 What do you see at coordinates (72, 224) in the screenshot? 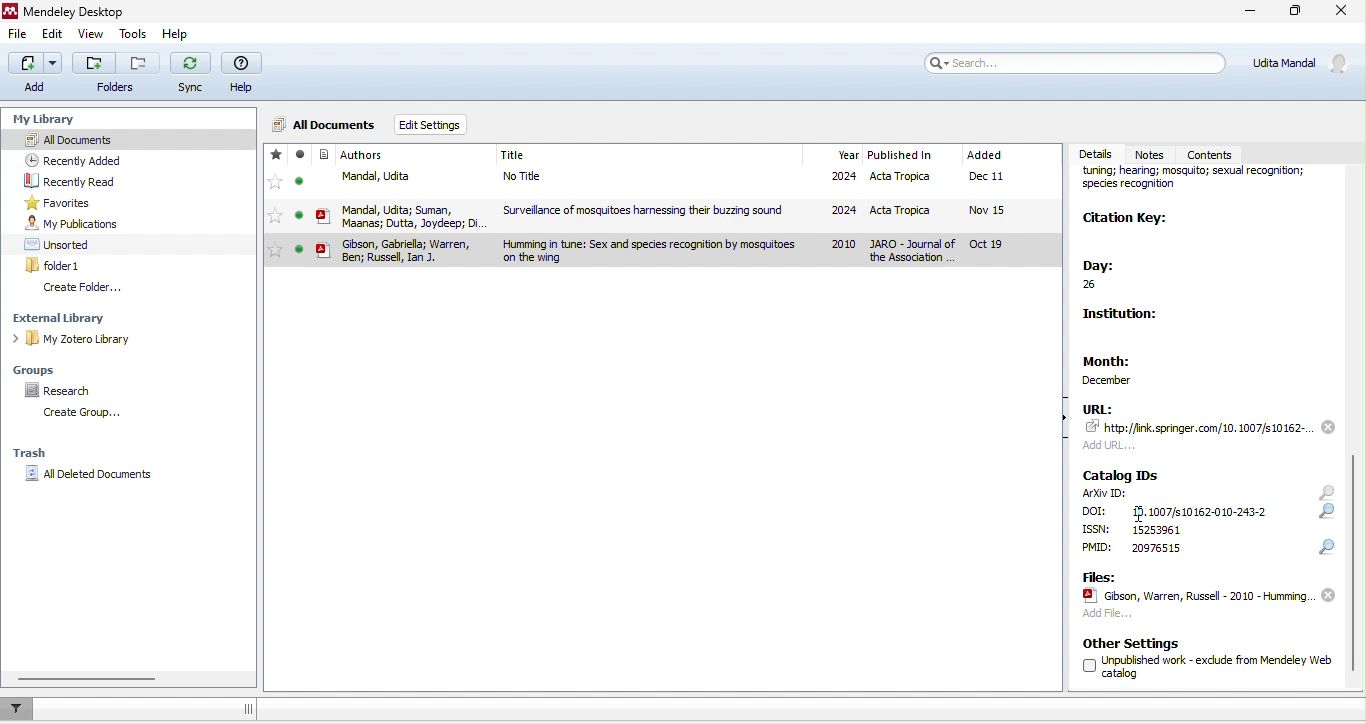
I see `my publication` at bounding box center [72, 224].